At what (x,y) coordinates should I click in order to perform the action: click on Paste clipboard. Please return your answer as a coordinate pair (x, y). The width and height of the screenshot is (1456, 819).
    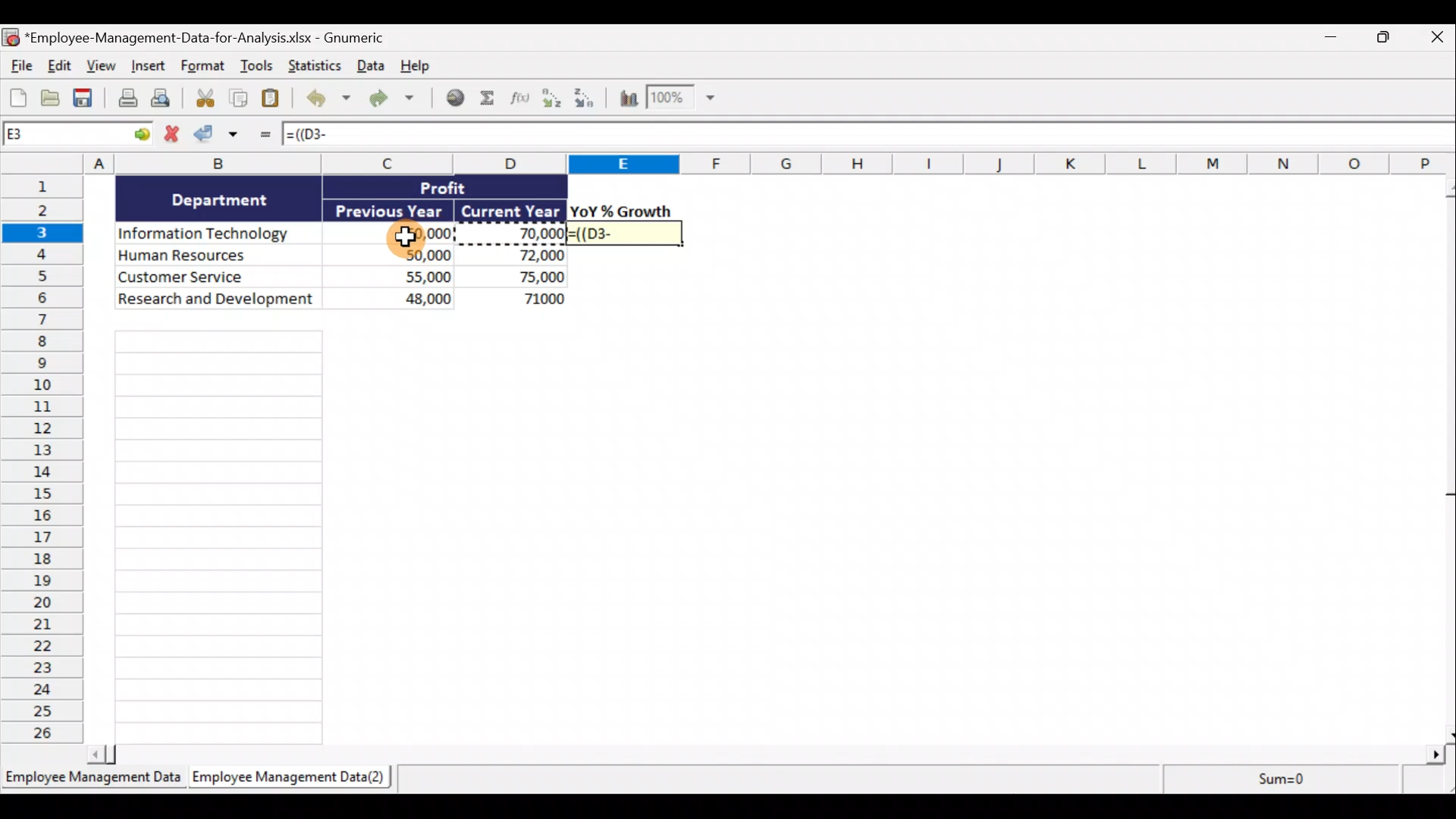
    Looking at the image, I should click on (274, 99).